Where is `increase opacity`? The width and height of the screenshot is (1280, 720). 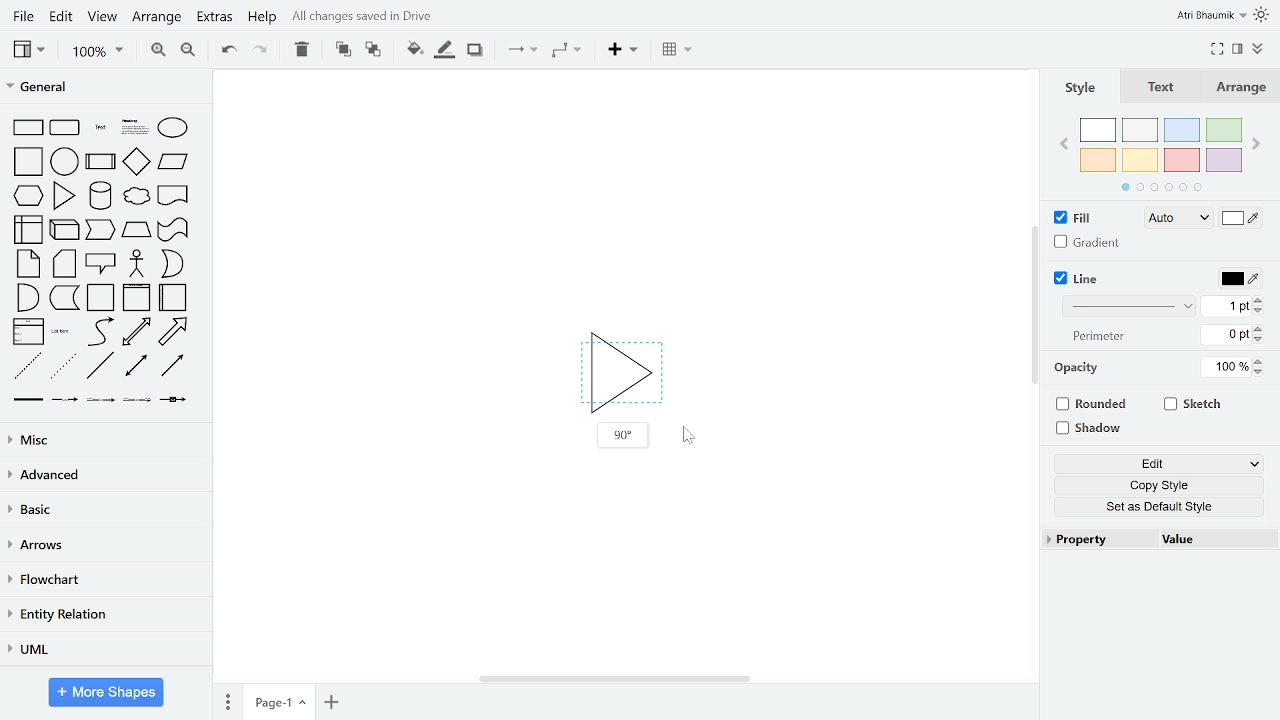
increase opacity is located at coordinates (1261, 361).